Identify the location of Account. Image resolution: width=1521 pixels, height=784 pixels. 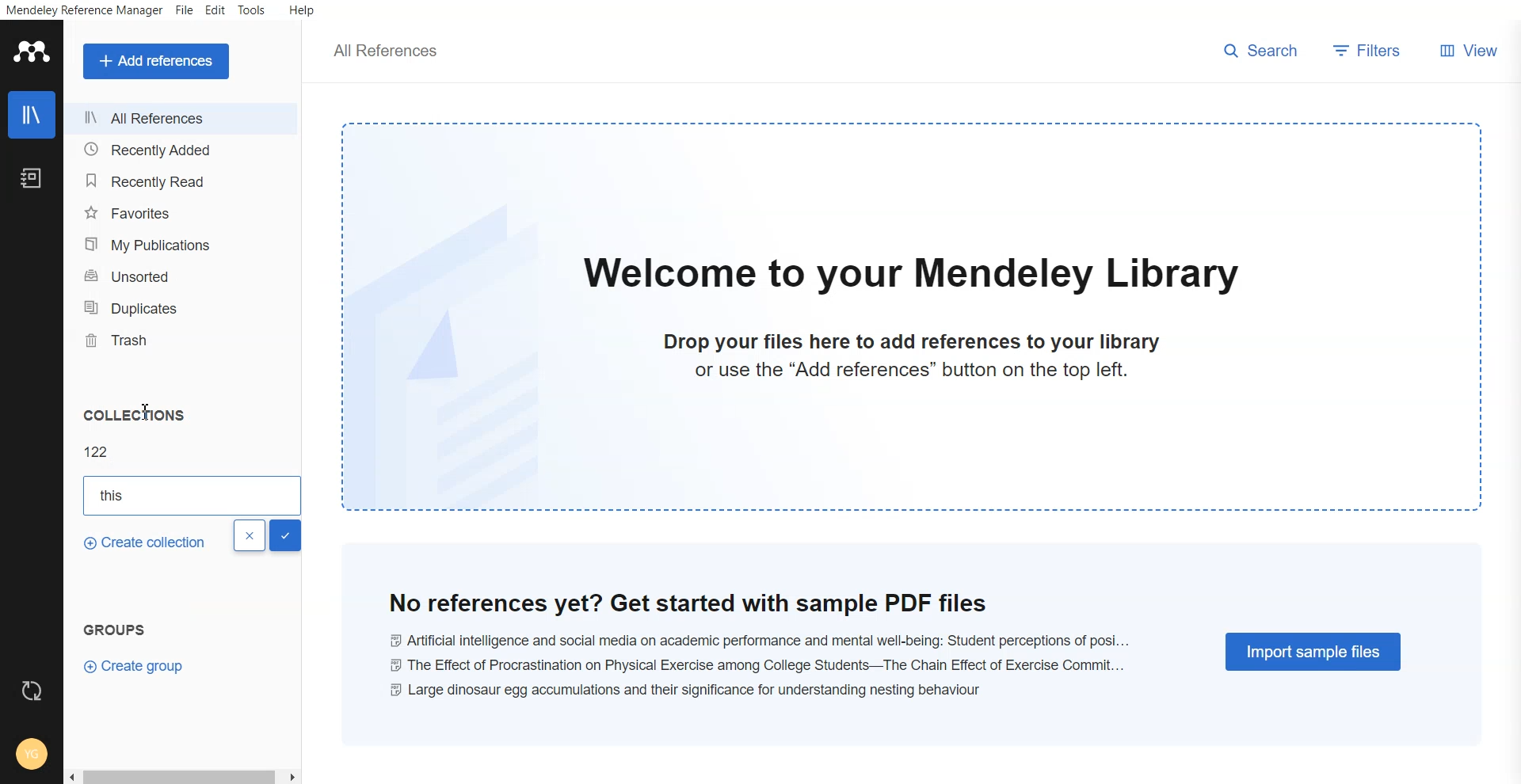
(32, 751).